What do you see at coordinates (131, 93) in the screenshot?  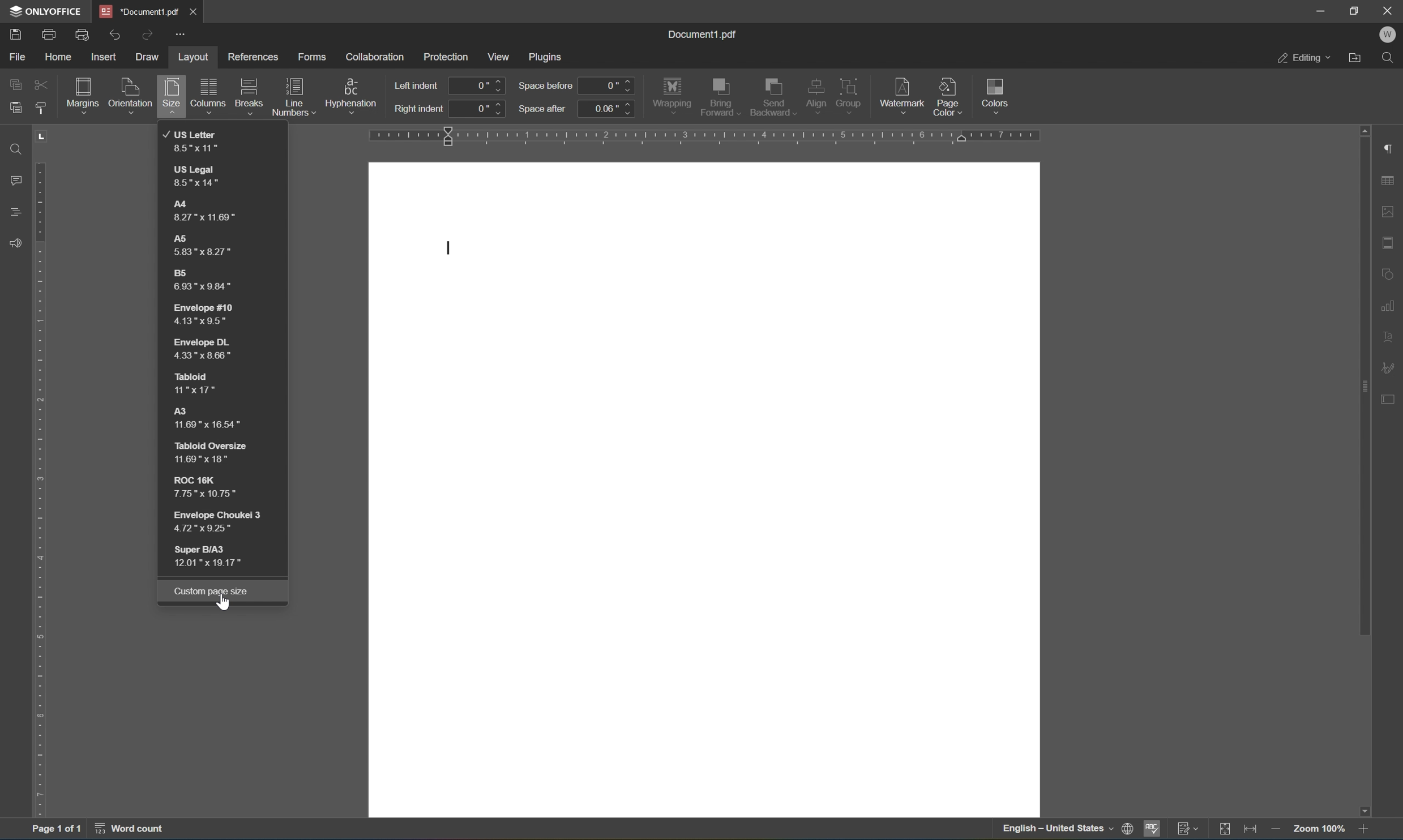 I see `orientation` at bounding box center [131, 93].